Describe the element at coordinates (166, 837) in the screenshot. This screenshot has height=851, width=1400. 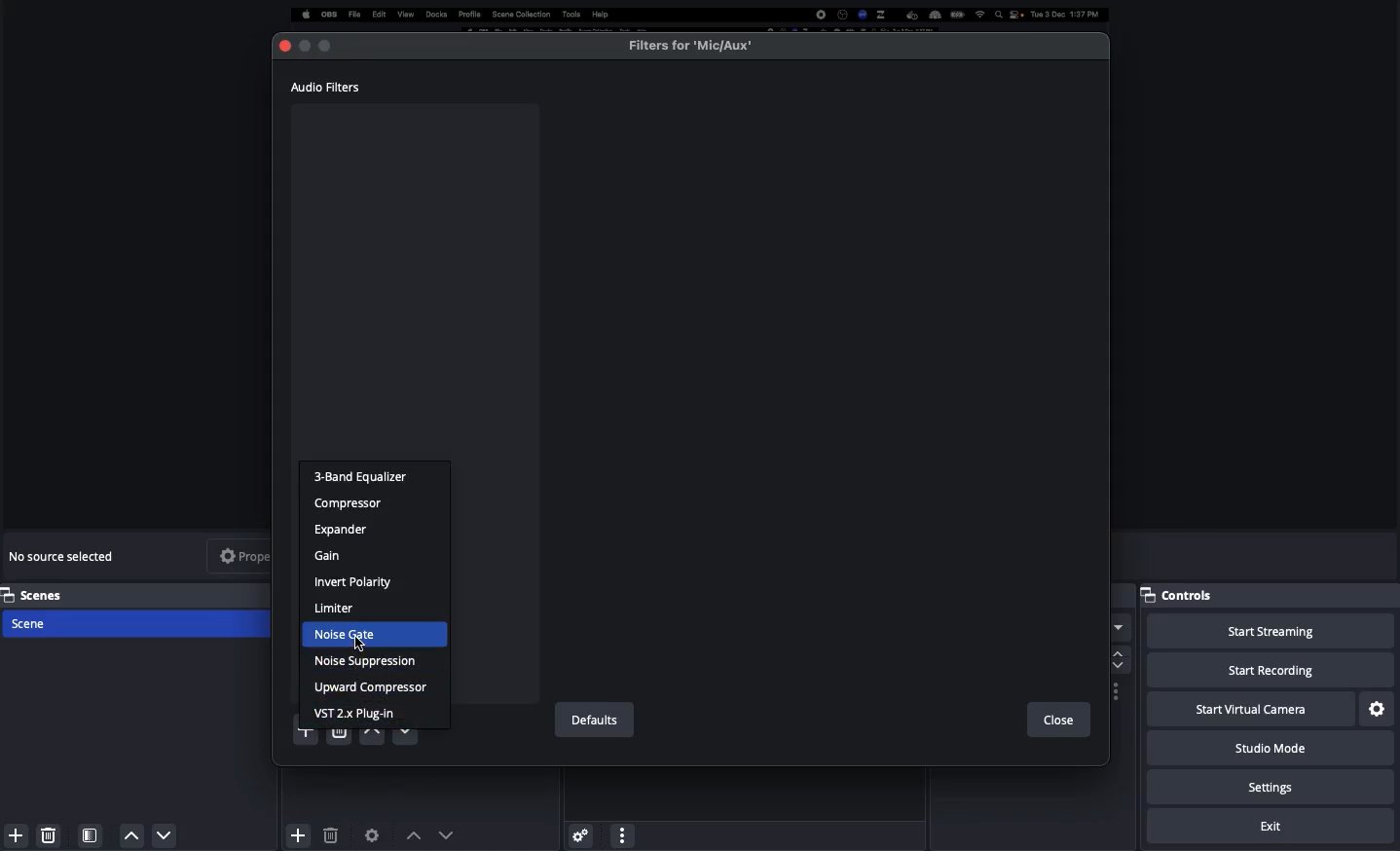
I see `Down` at that location.